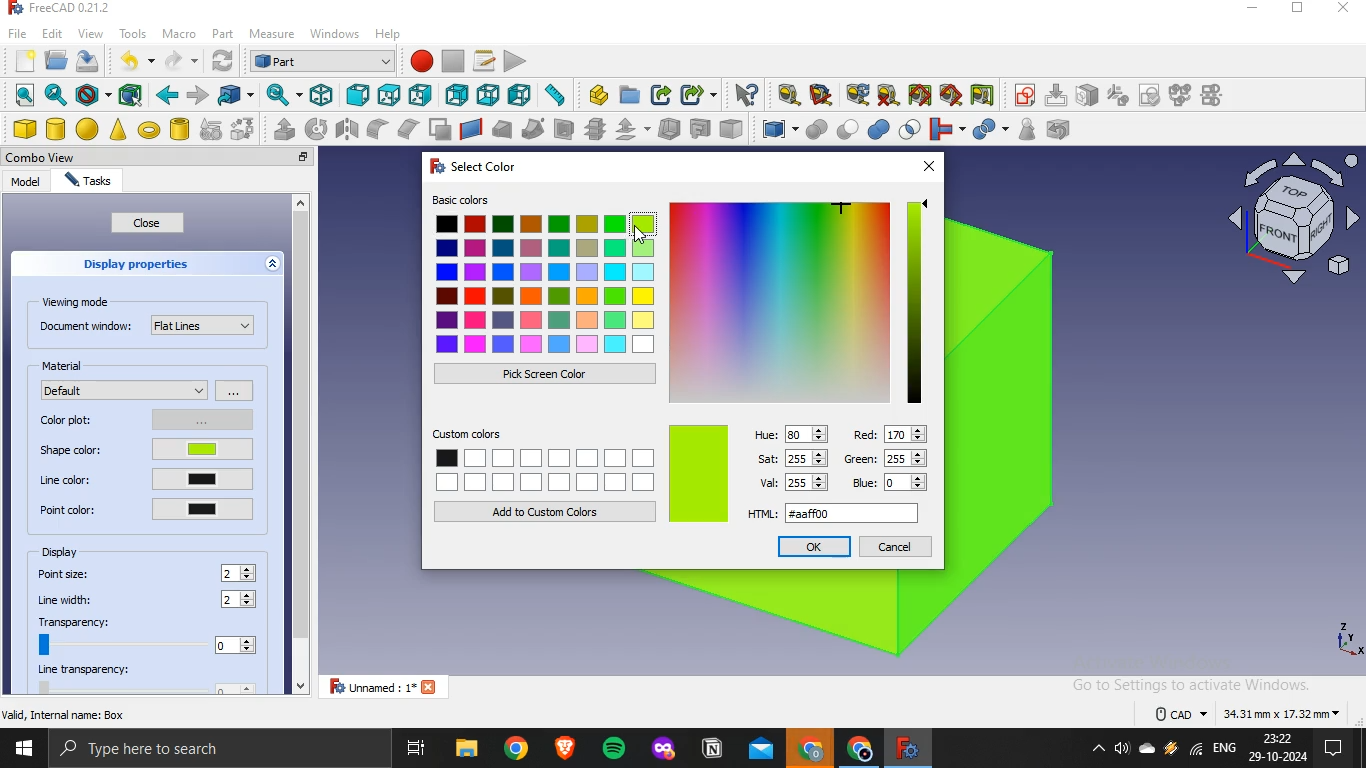  Describe the element at coordinates (631, 94) in the screenshot. I see `create folder` at that location.